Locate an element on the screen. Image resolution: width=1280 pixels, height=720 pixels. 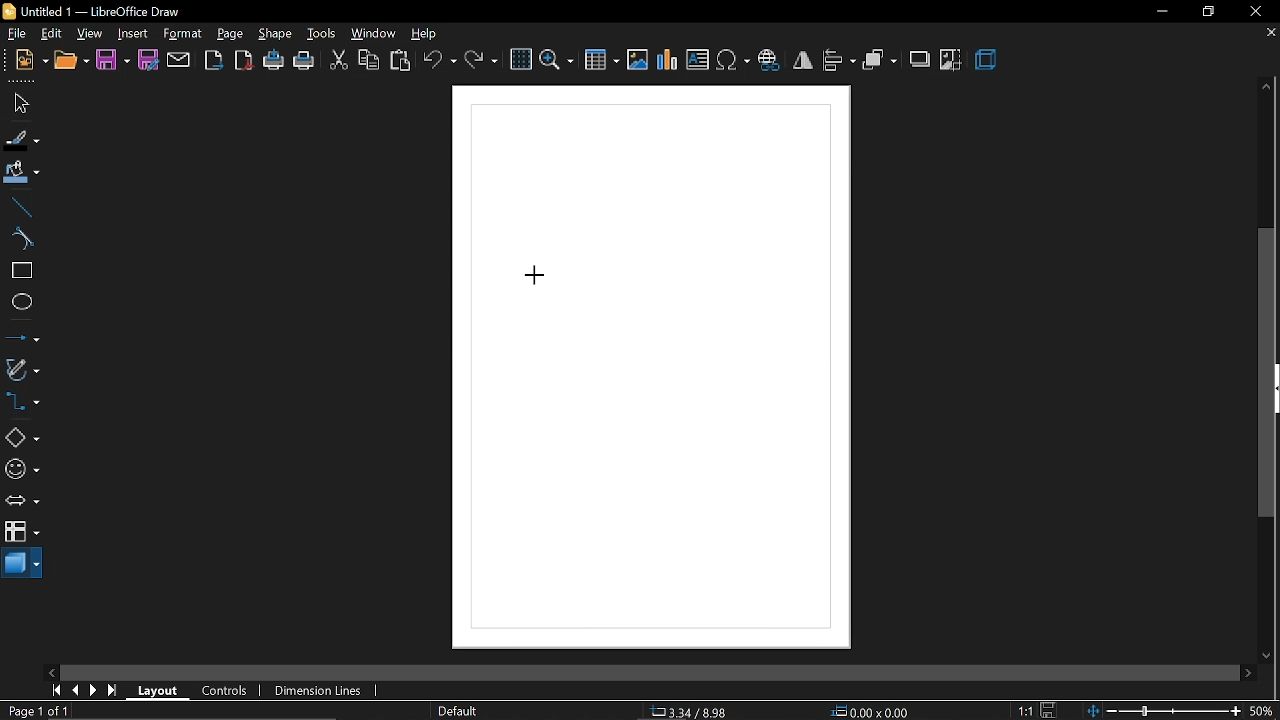
rectangle is located at coordinates (21, 272).